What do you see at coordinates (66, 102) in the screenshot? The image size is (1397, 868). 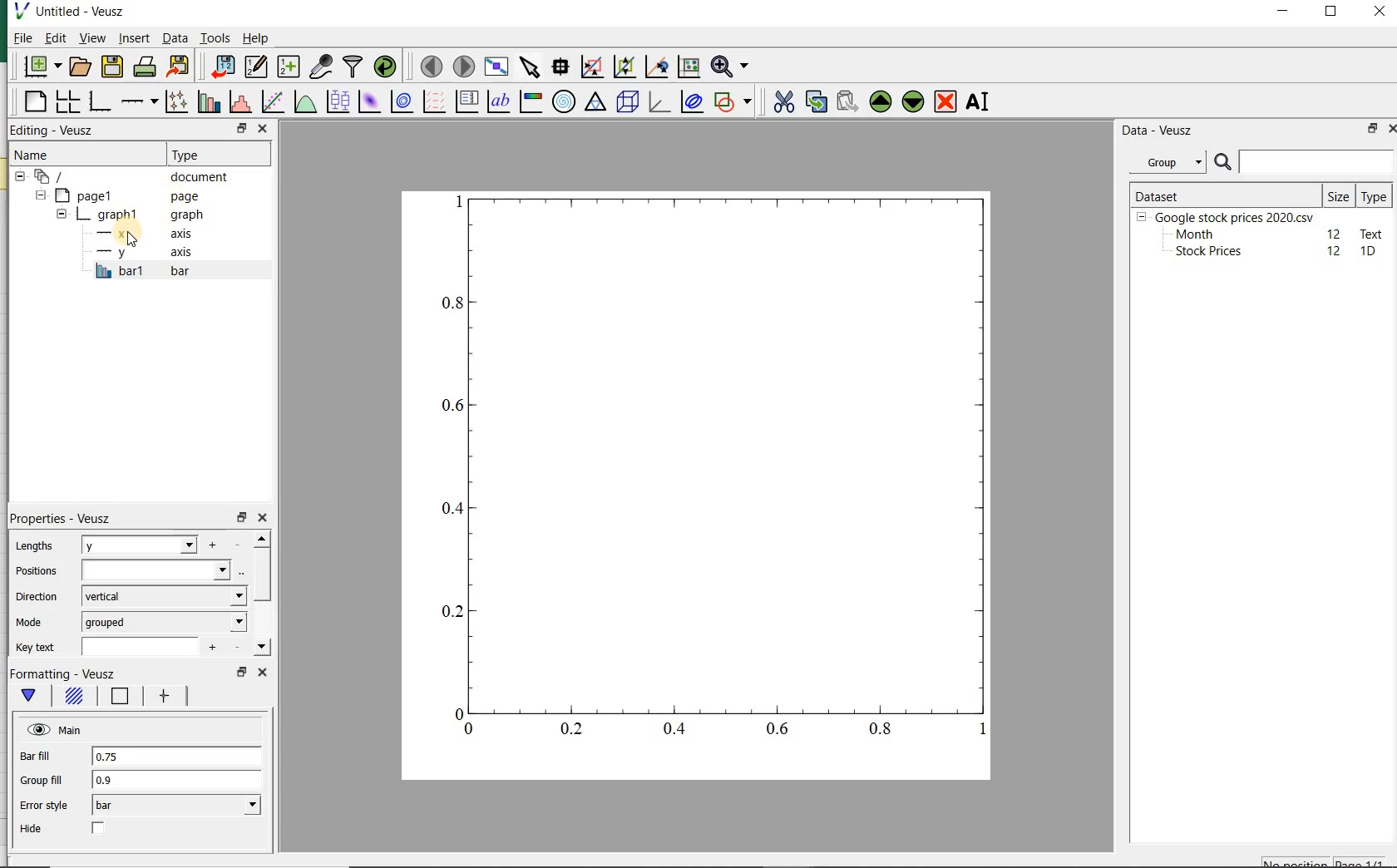 I see `arrange graphs in a grid` at bounding box center [66, 102].